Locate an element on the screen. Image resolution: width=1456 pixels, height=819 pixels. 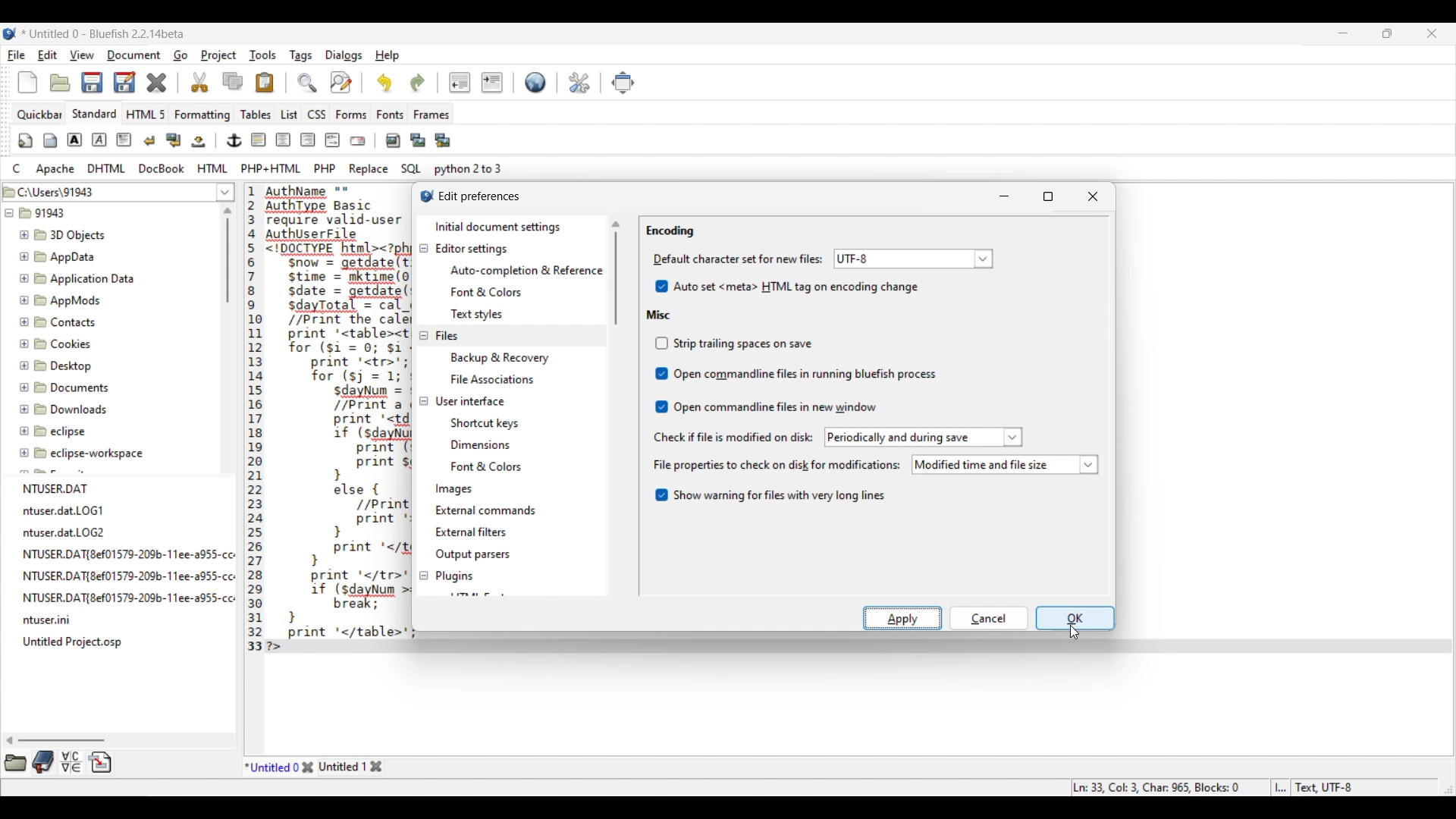
Fonts is located at coordinates (391, 115).